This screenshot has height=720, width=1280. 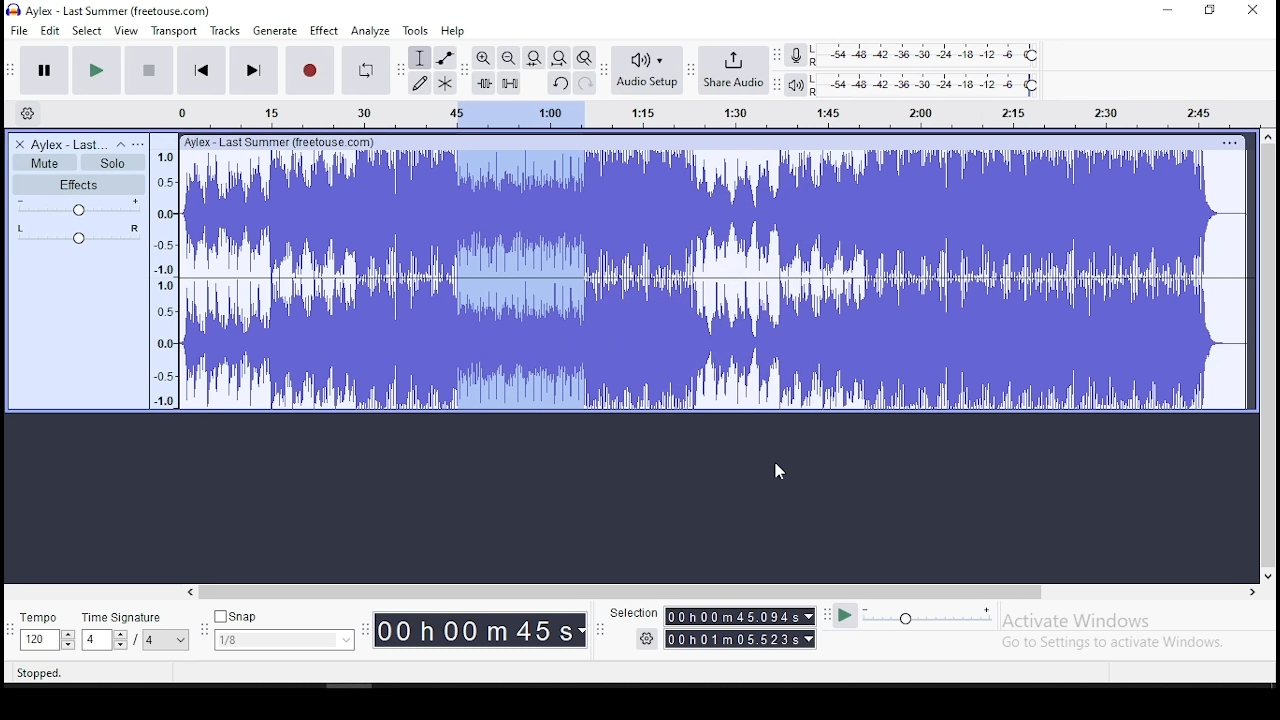 I want to click on playback speed, so click(x=928, y=617).